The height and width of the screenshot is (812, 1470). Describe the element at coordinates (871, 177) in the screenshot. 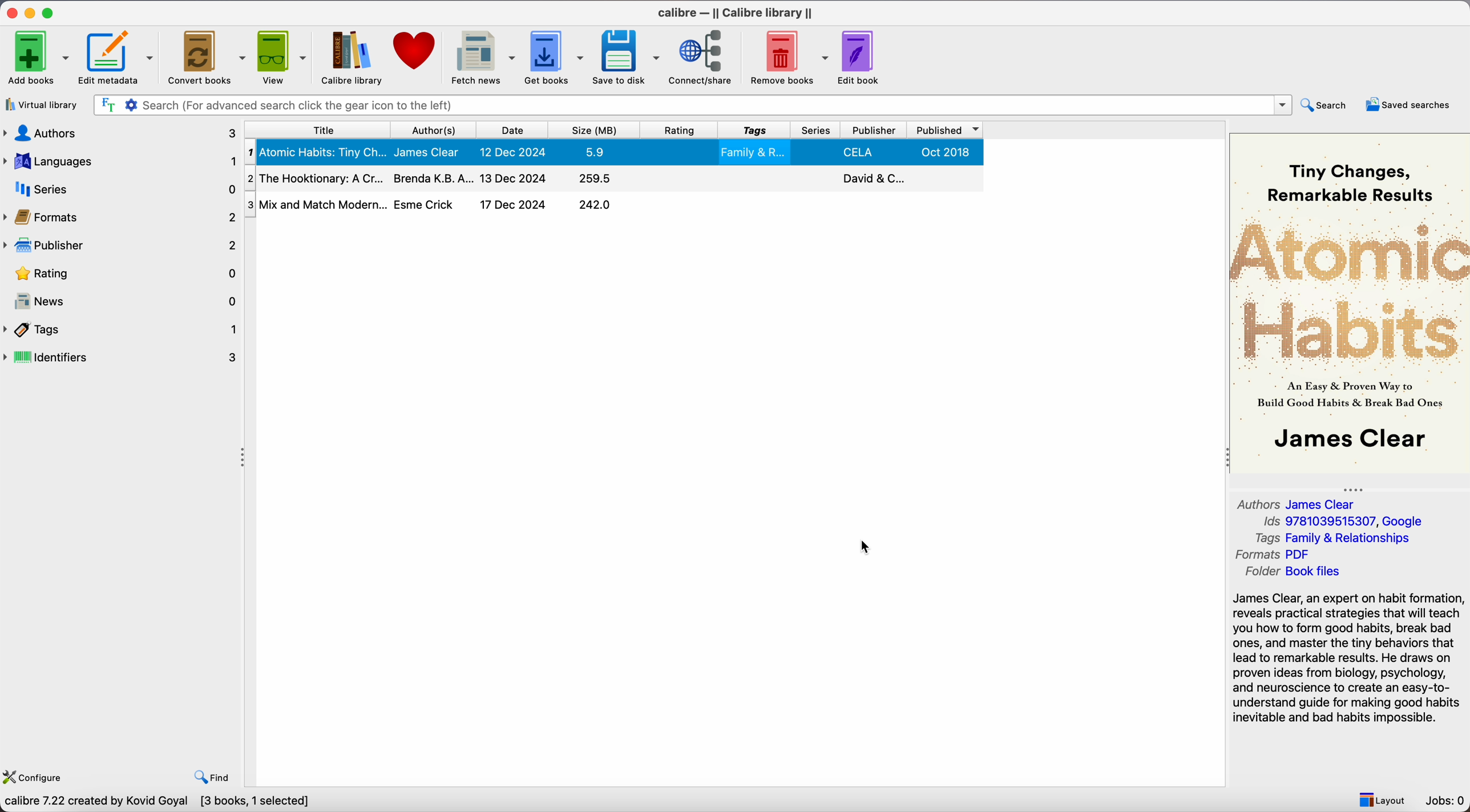

I see `David & C..` at that location.